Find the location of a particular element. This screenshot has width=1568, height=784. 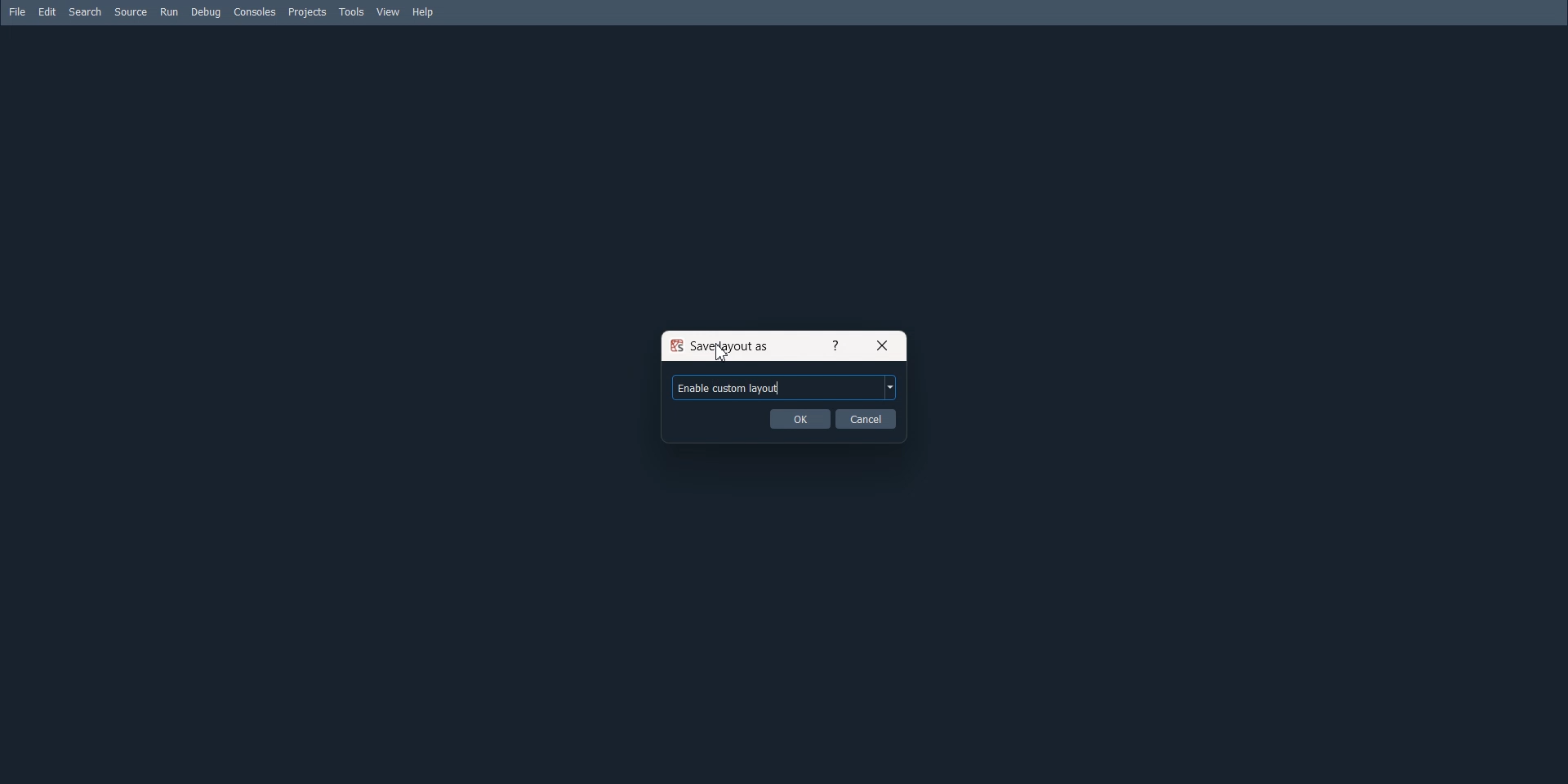

Projects is located at coordinates (307, 12).